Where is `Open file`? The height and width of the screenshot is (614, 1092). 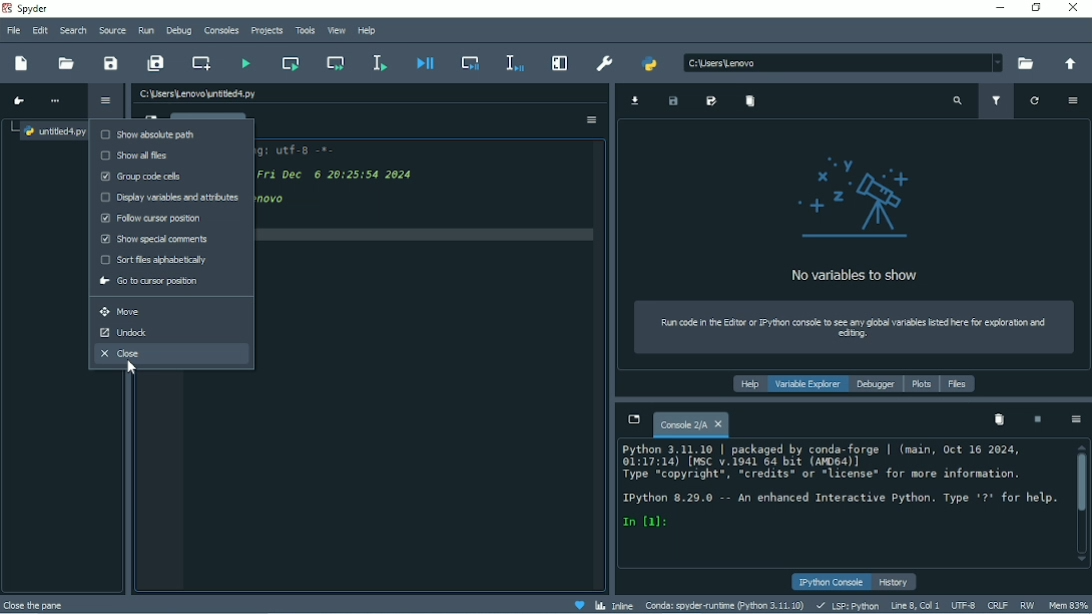 Open file is located at coordinates (66, 64).